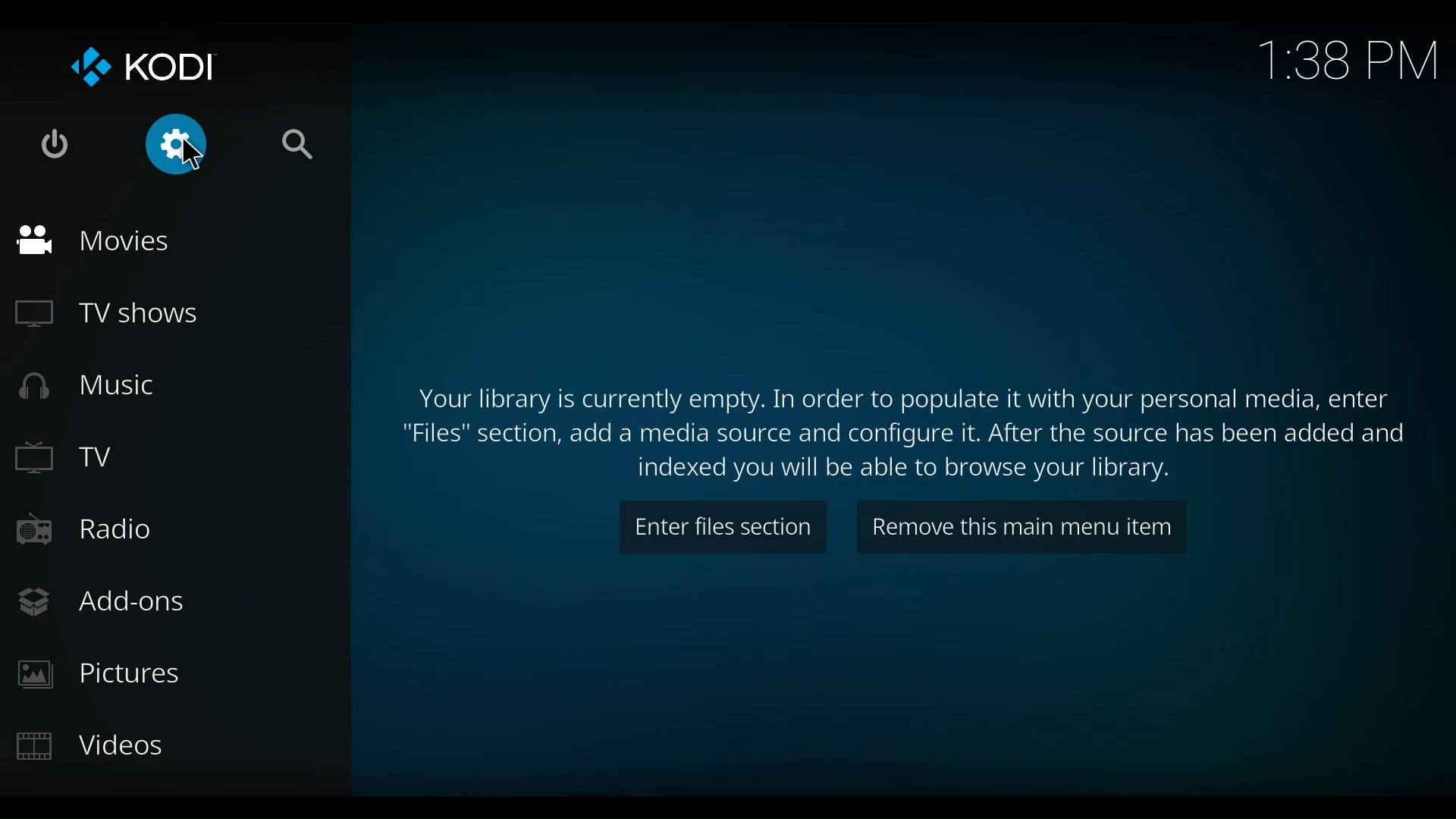  What do you see at coordinates (124, 314) in the screenshot?
I see `TV Shows` at bounding box center [124, 314].